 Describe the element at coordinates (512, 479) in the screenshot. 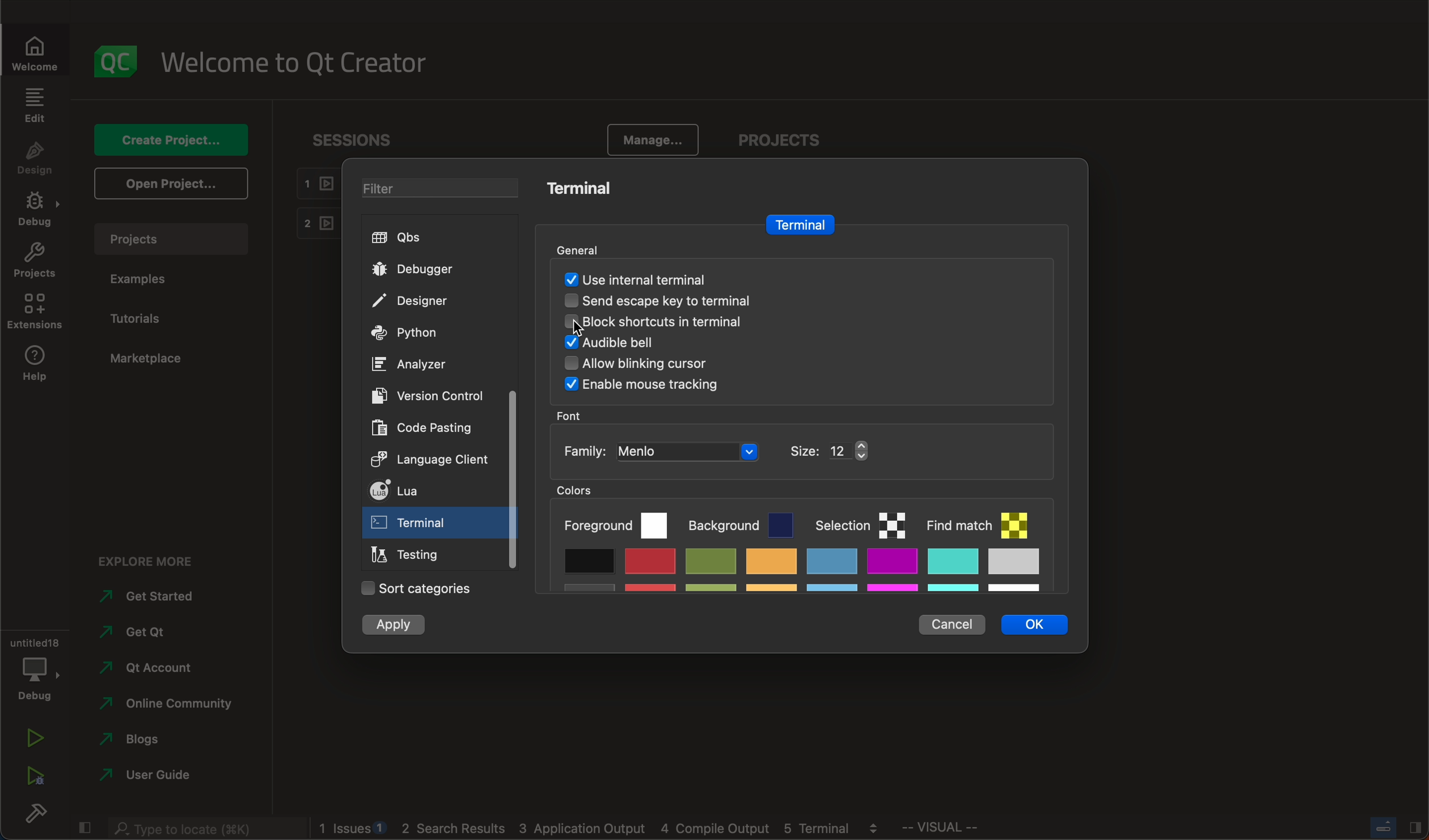

I see `scrollbar` at that location.